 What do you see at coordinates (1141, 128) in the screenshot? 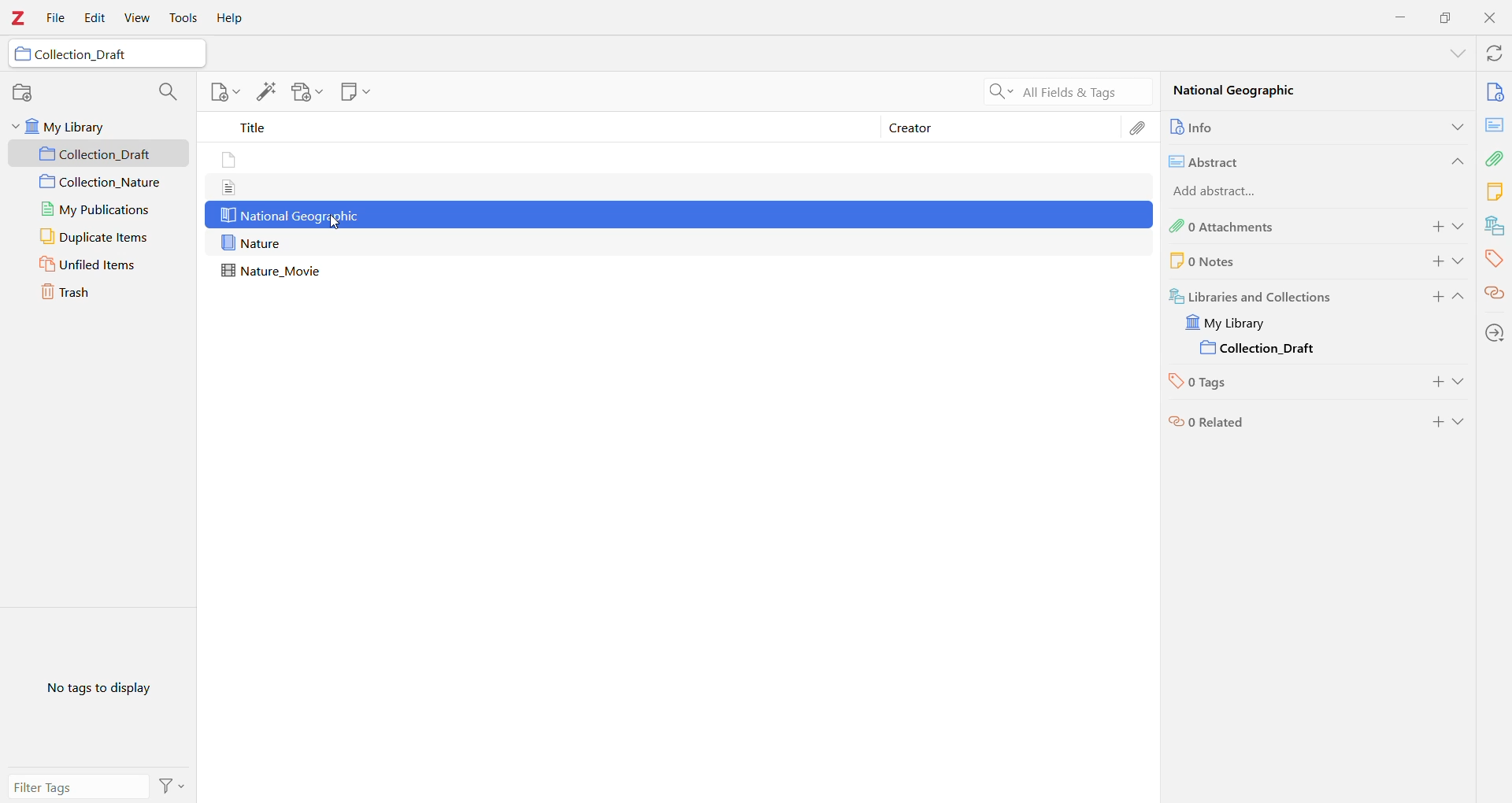
I see `Attachments` at bounding box center [1141, 128].